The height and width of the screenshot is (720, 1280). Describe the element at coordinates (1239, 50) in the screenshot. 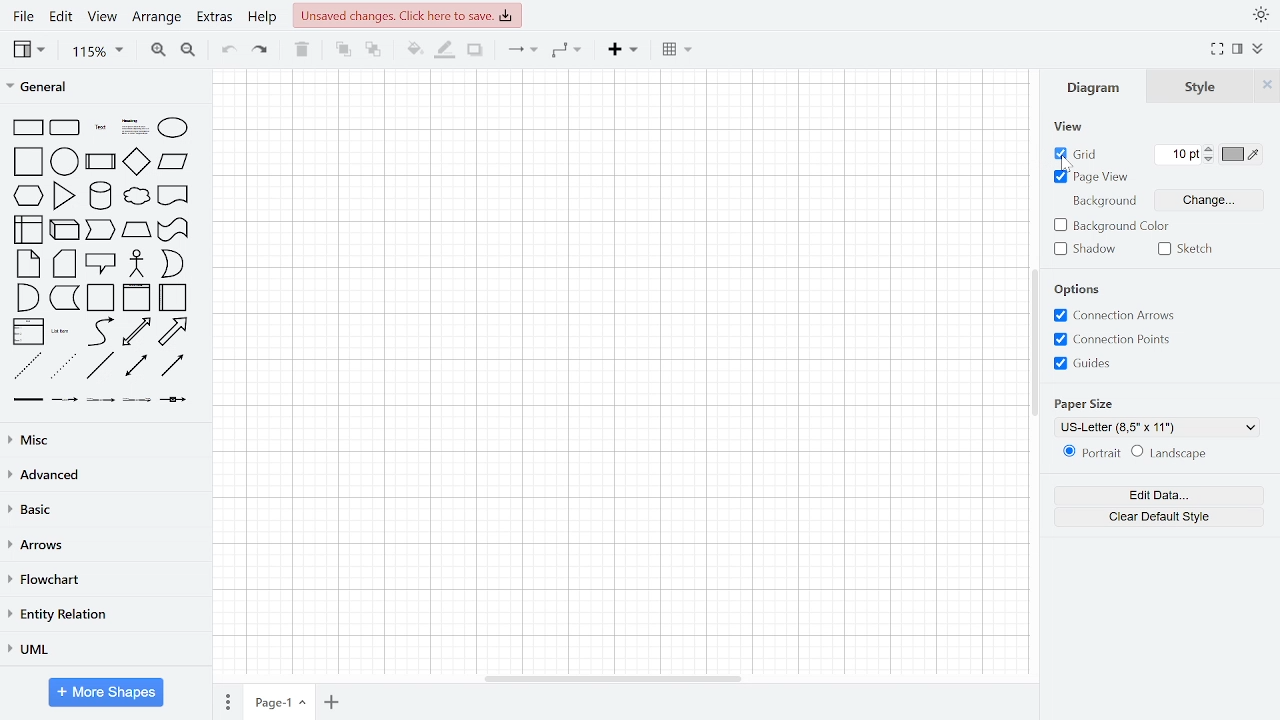

I see `format` at that location.